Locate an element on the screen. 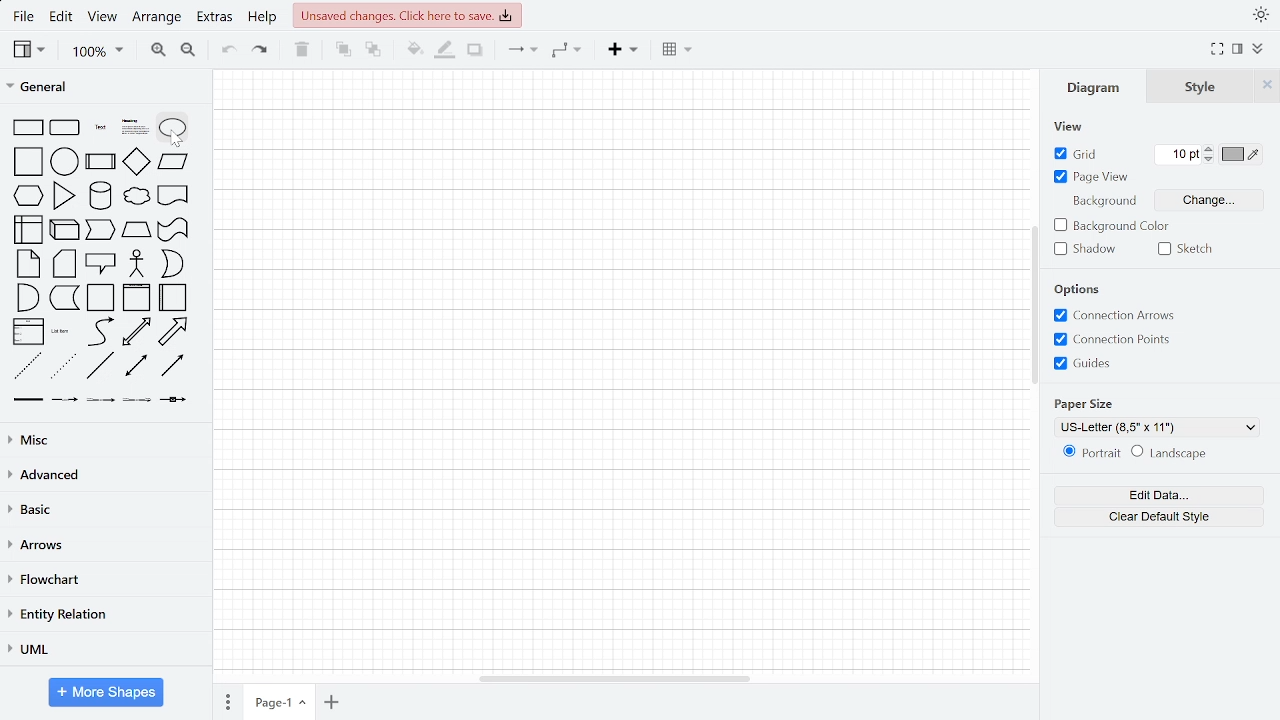  edit is located at coordinates (62, 19).